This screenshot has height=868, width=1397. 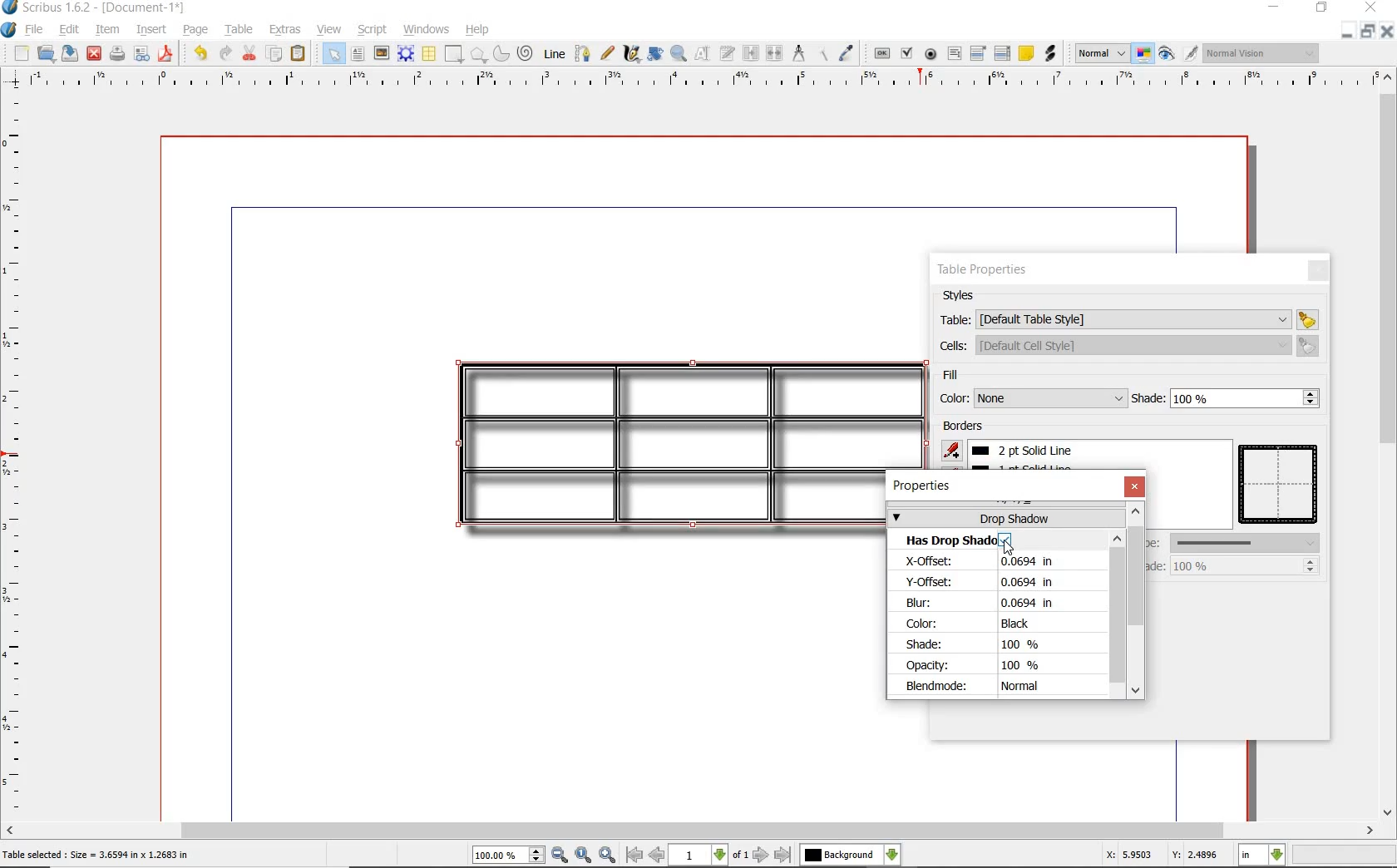 I want to click on color, so click(x=1030, y=398).